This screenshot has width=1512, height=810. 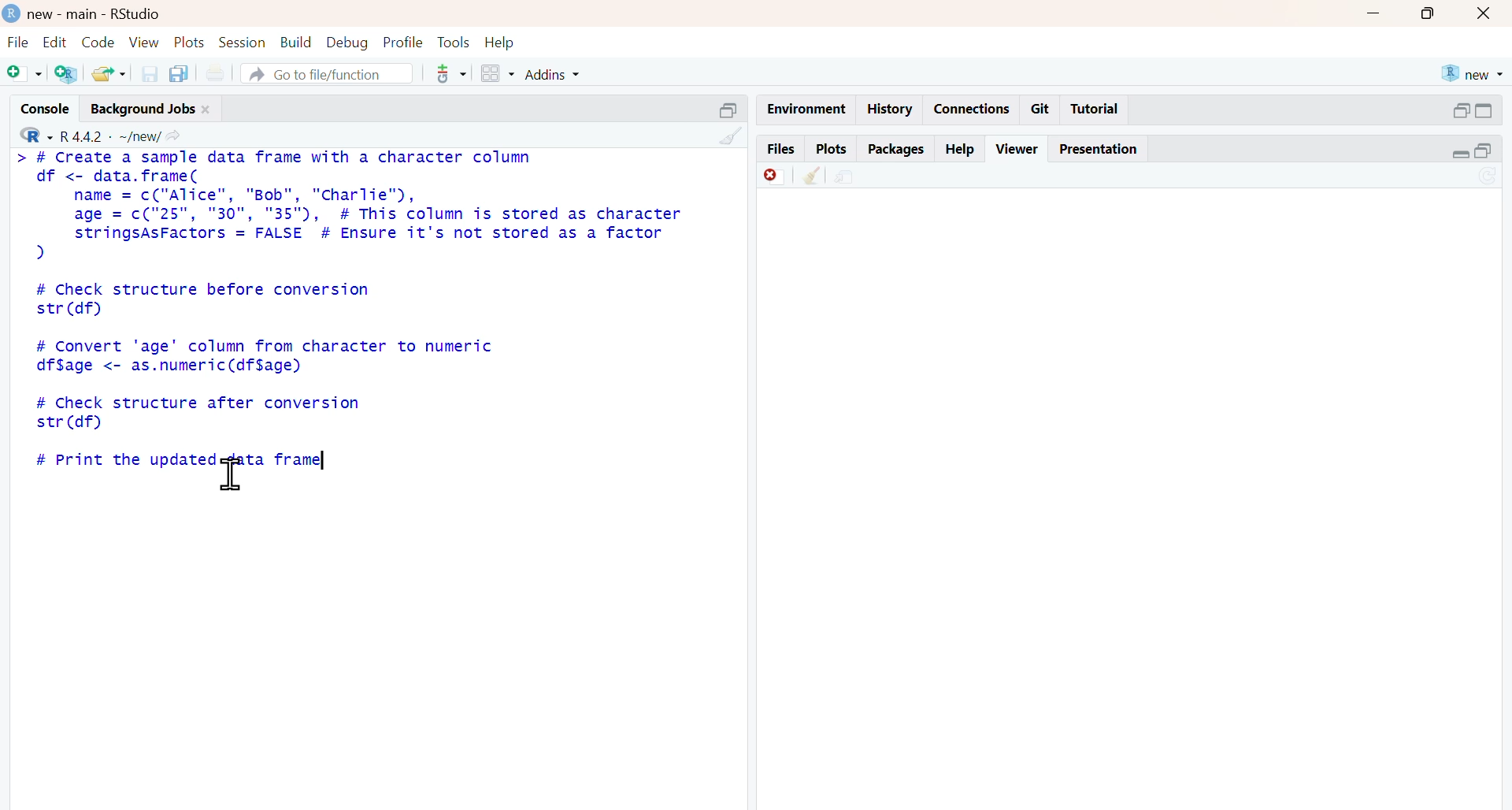 What do you see at coordinates (891, 110) in the screenshot?
I see `history` at bounding box center [891, 110].